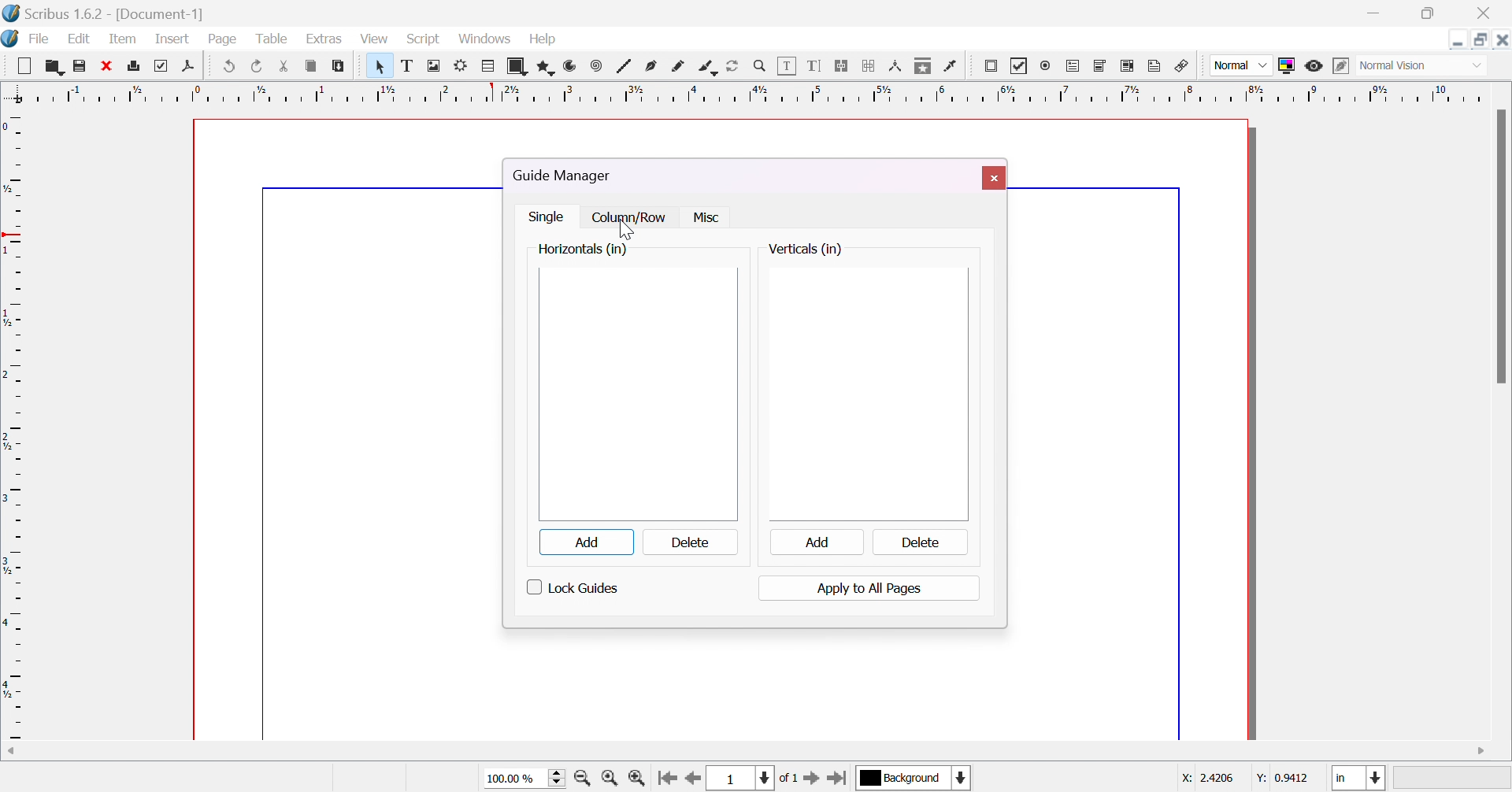  I want to click on extras, so click(330, 39).